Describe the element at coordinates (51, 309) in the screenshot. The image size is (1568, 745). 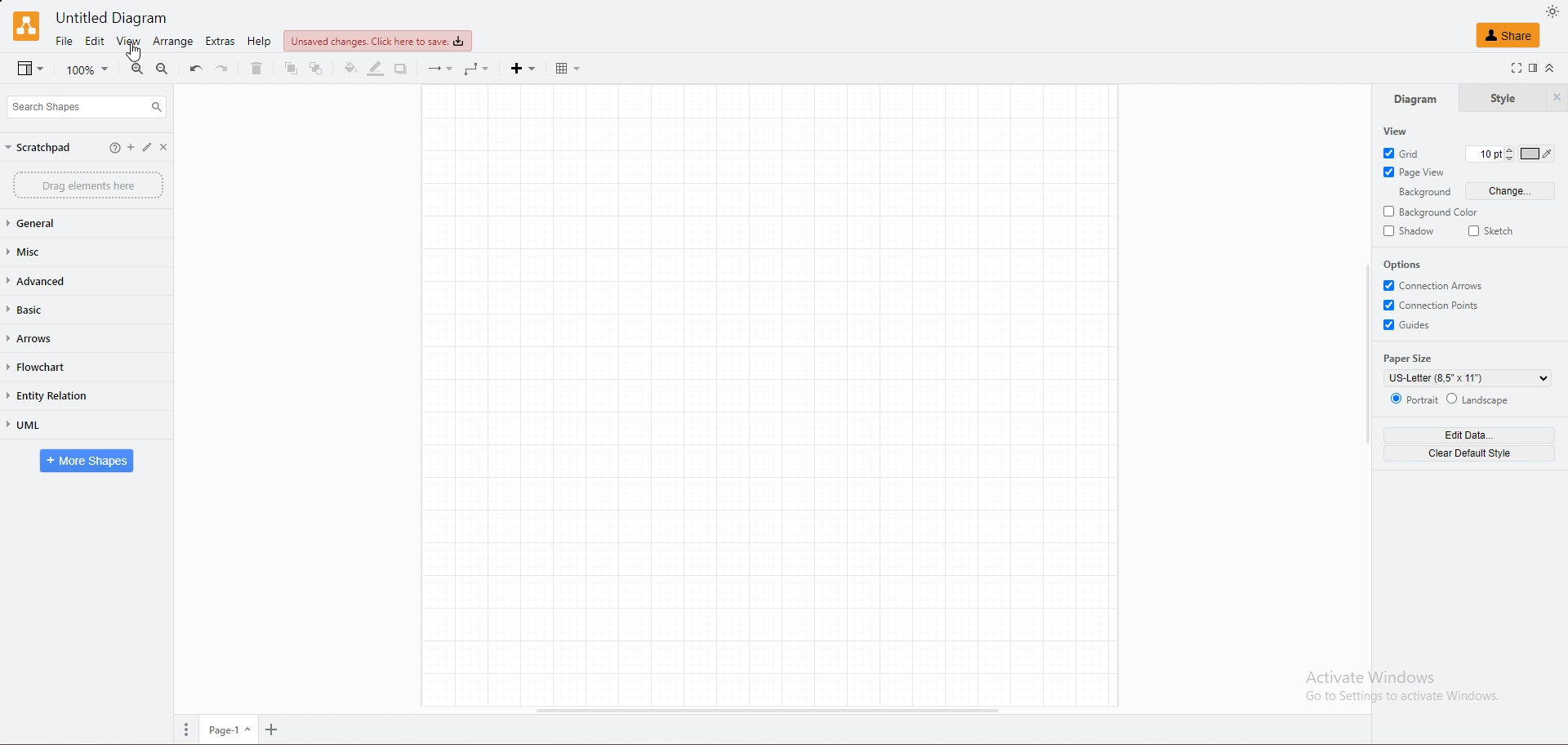
I see `basic` at that location.